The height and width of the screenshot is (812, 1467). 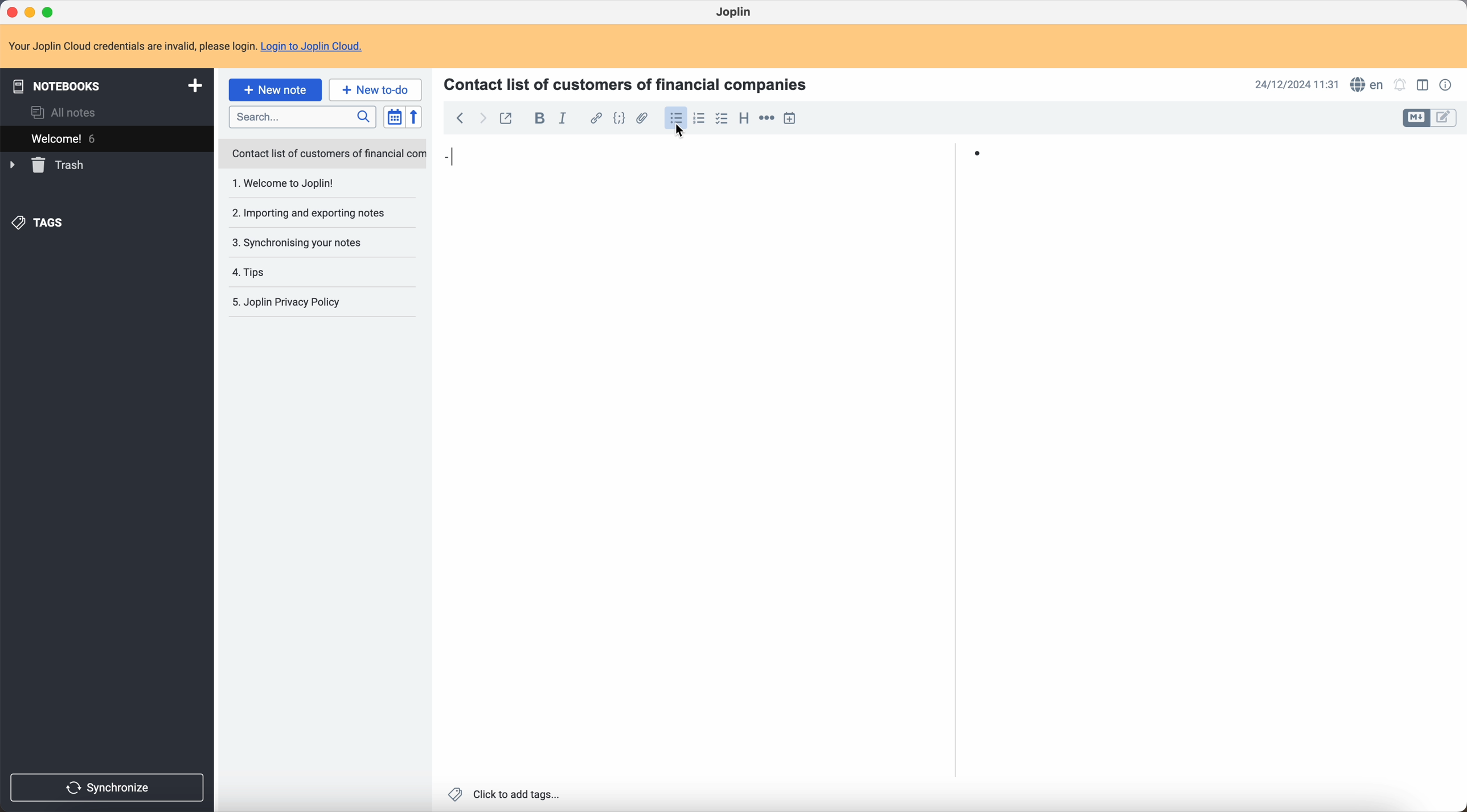 I want to click on back, so click(x=460, y=117).